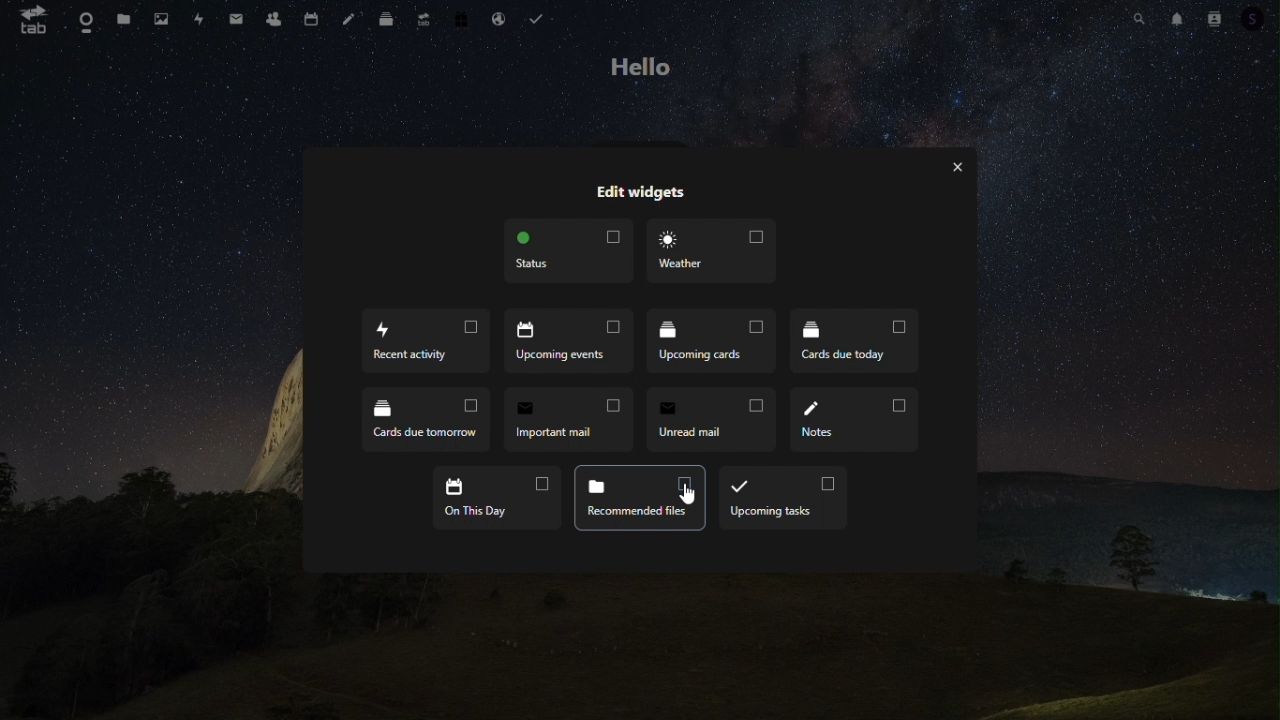 The height and width of the screenshot is (720, 1280). Describe the element at coordinates (352, 19) in the screenshot. I see `notes` at that location.